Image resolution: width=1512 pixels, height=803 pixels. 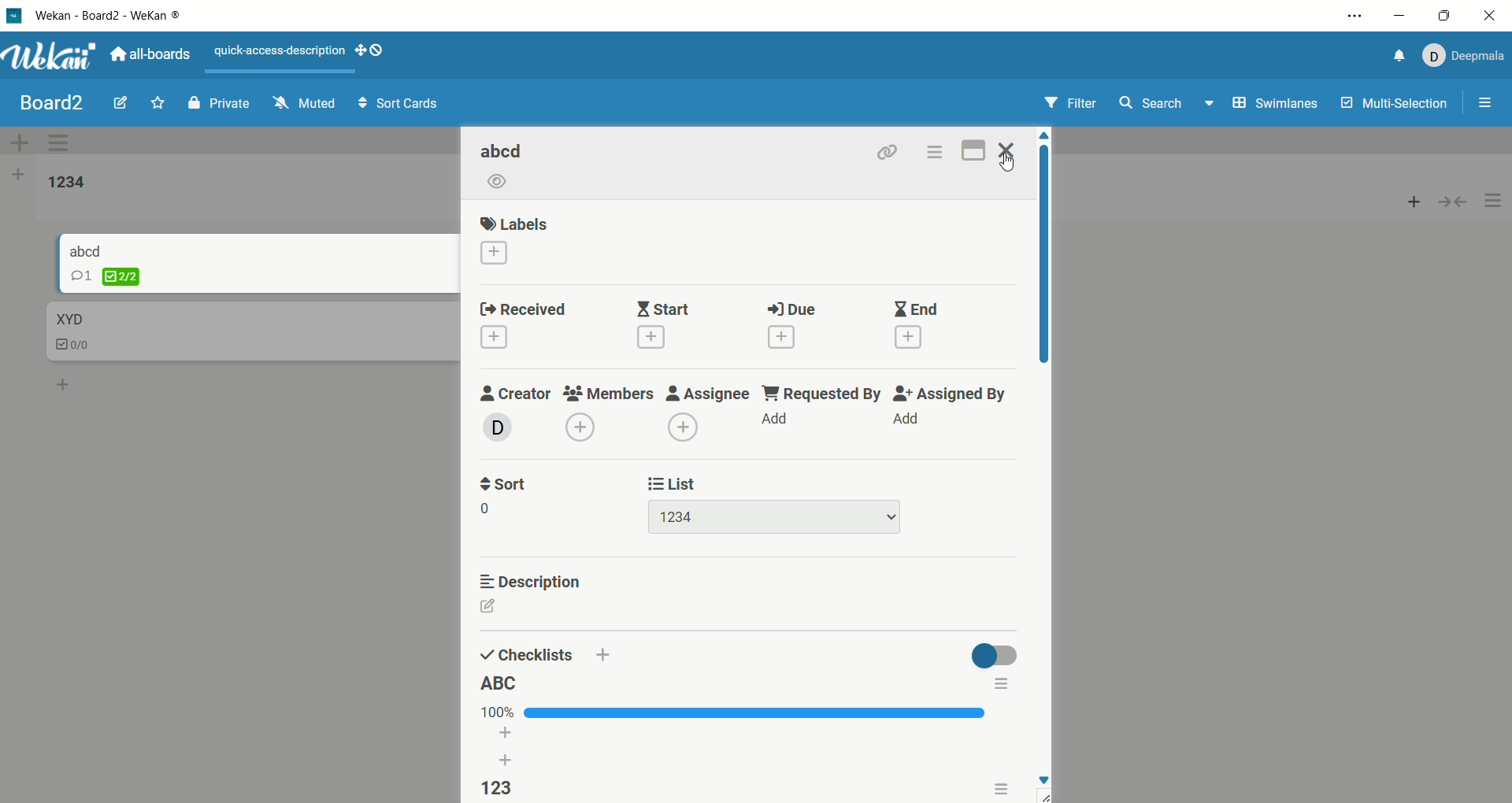 I want to click on minimize, so click(x=1401, y=18).